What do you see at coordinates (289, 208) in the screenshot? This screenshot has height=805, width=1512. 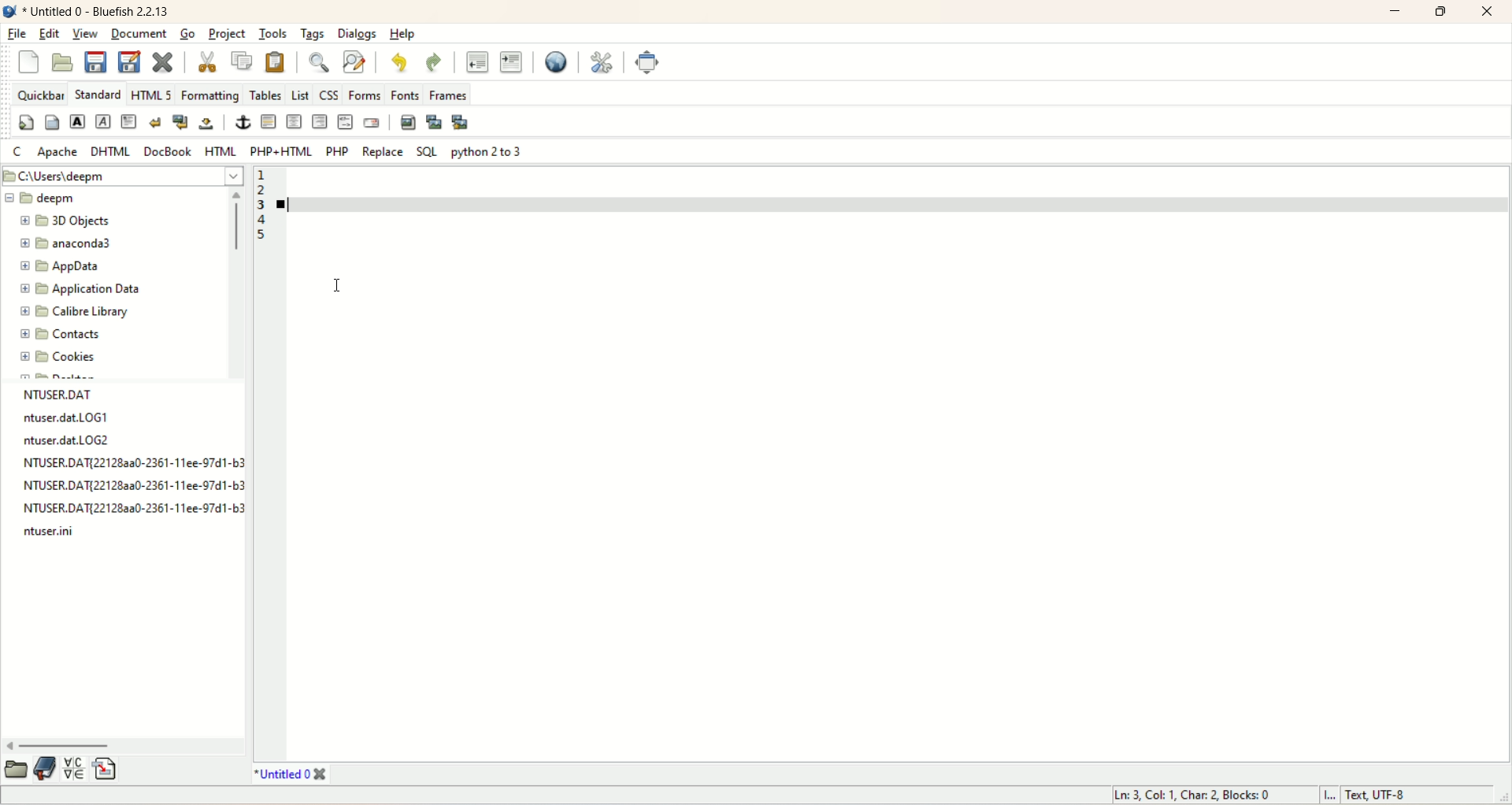 I see `bookmark added` at bounding box center [289, 208].